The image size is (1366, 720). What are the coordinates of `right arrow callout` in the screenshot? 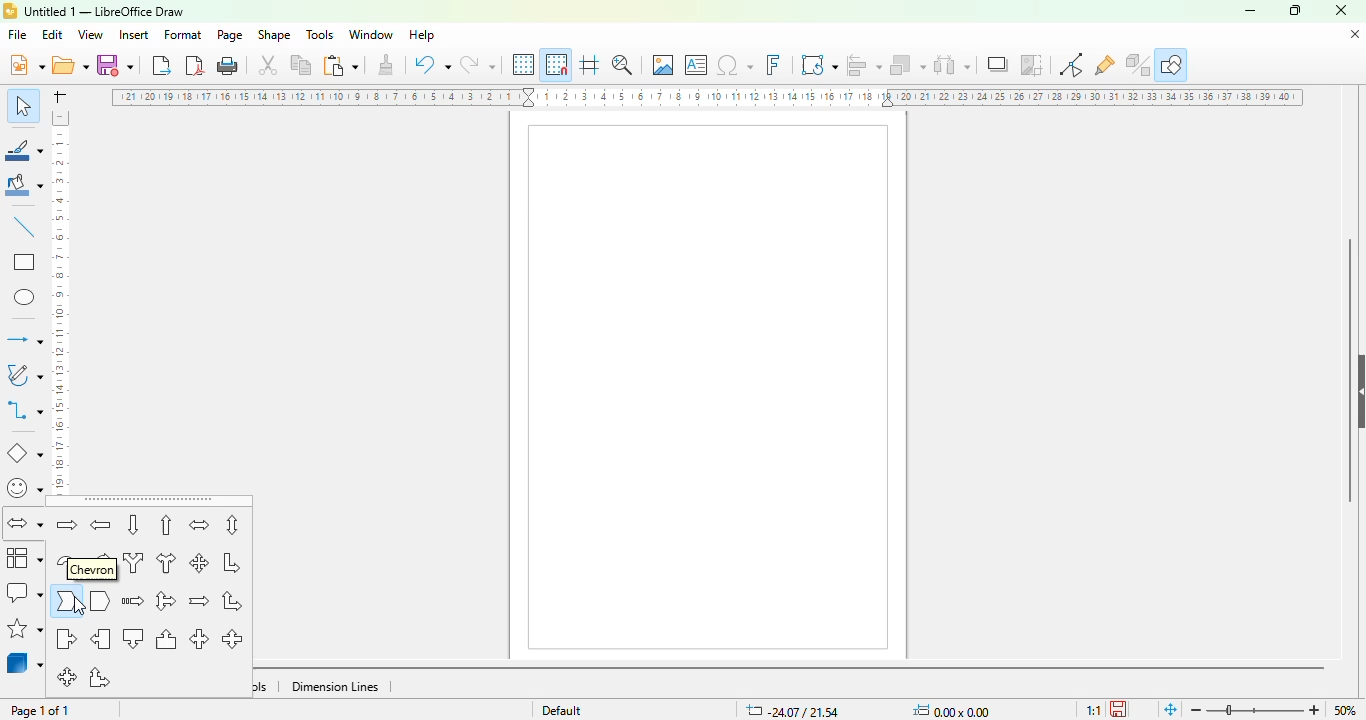 It's located at (66, 639).